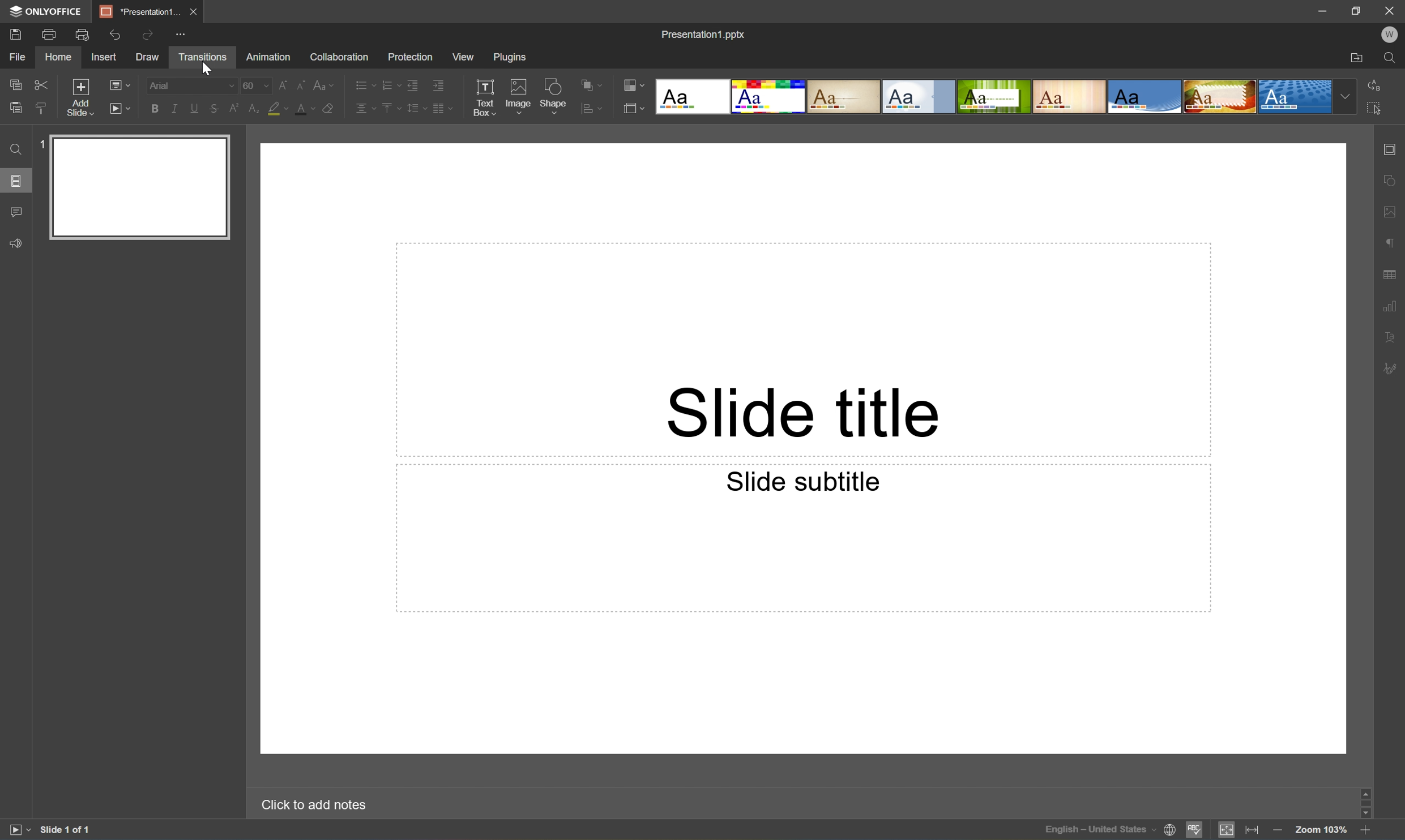 The image size is (1405, 840). Describe the element at coordinates (193, 109) in the screenshot. I see `Underline` at that location.